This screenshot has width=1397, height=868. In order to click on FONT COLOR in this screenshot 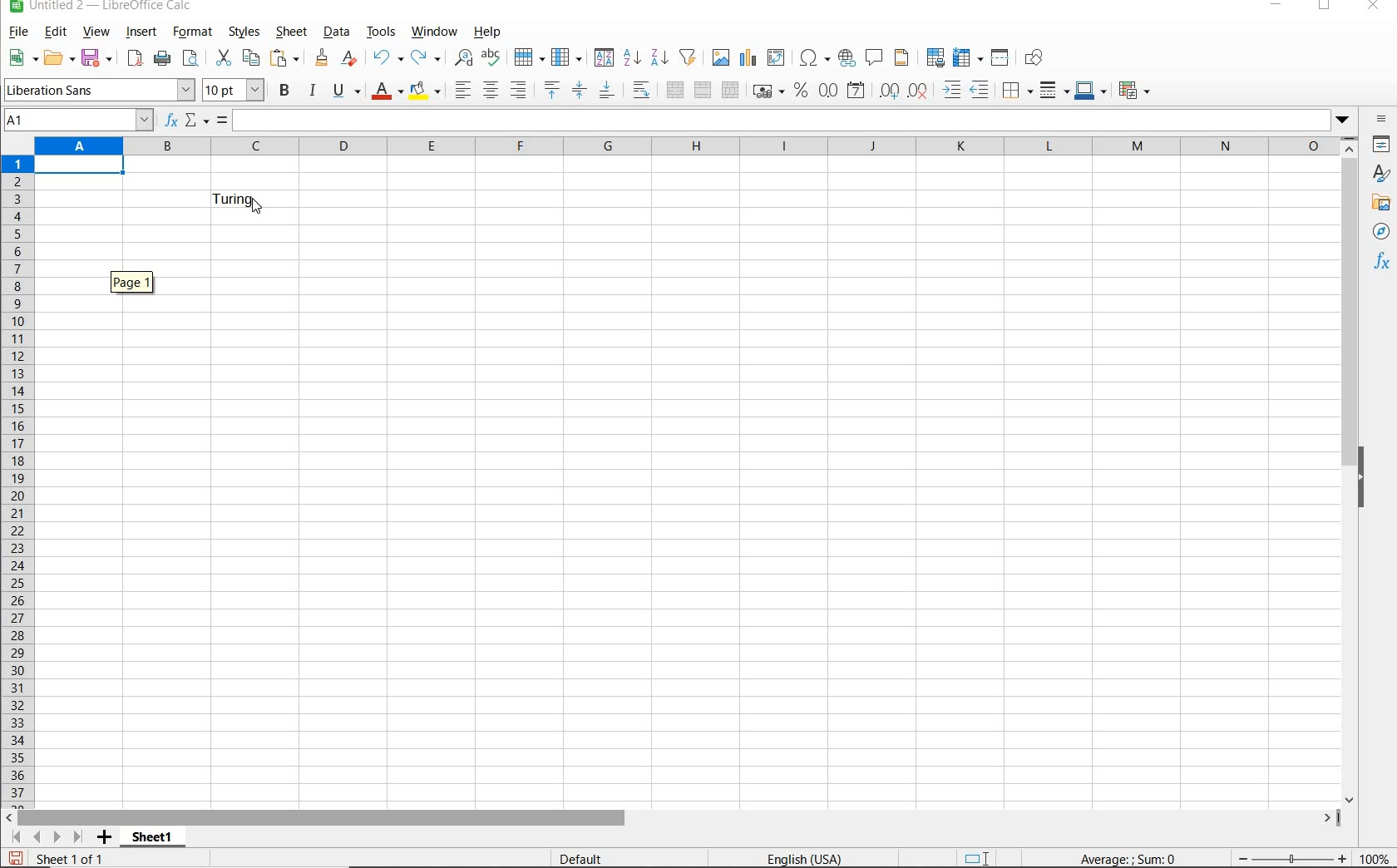, I will do `click(388, 93)`.